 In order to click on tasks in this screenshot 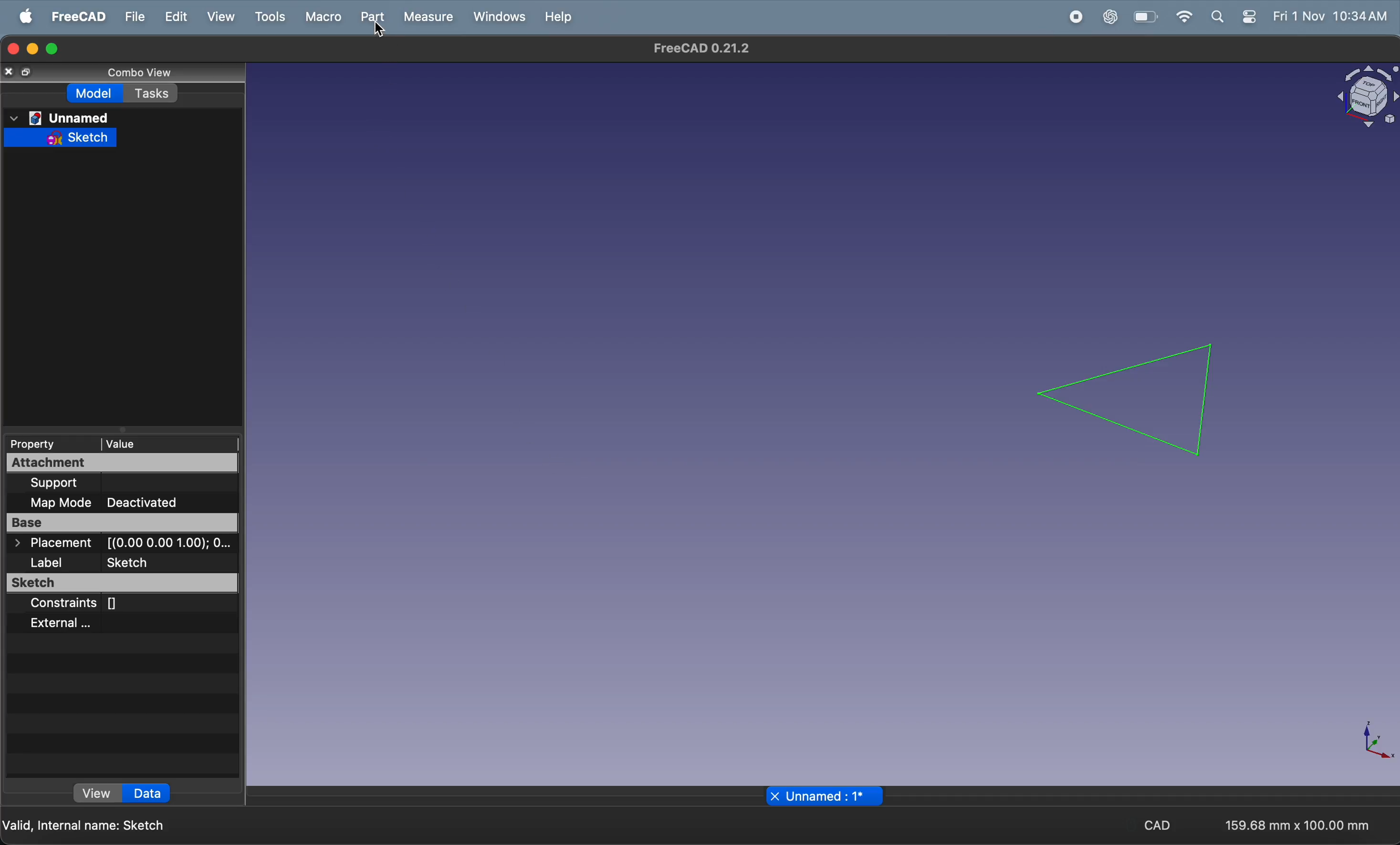, I will do `click(155, 93)`.